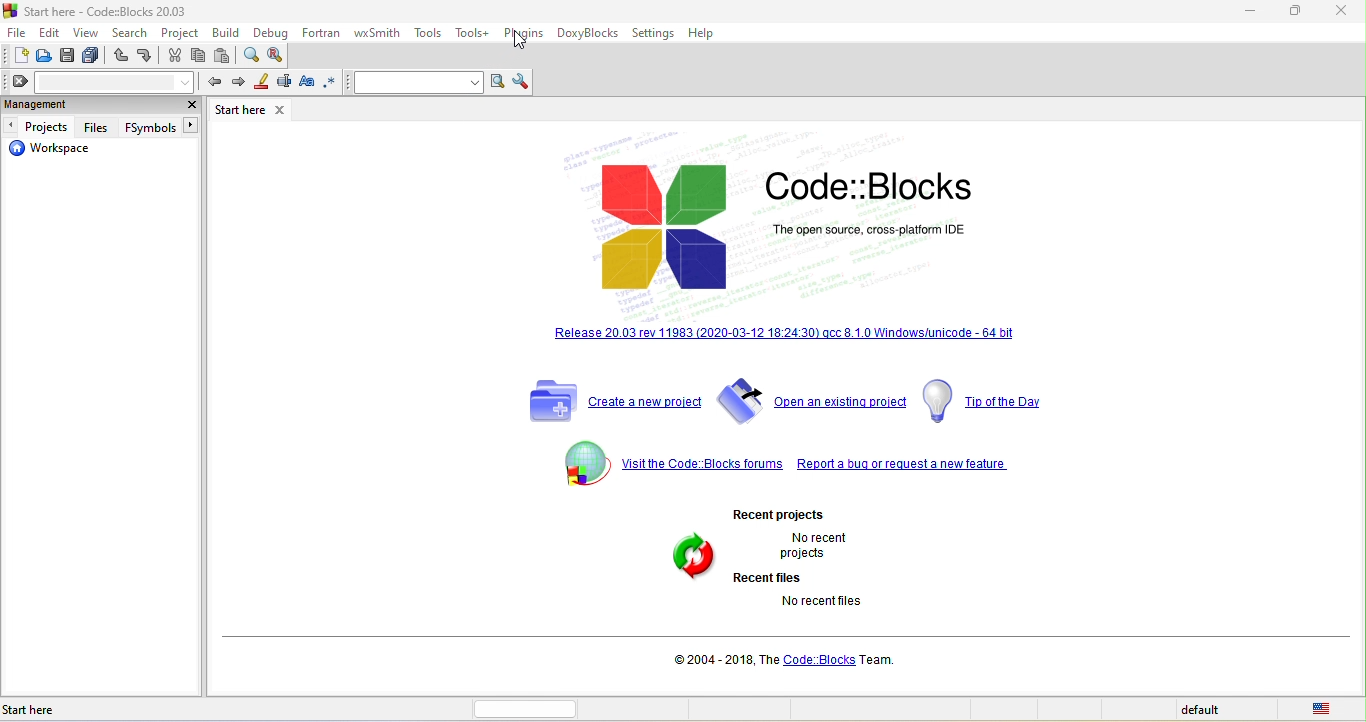 Image resolution: width=1366 pixels, height=722 pixels. I want to click on view, so click(86, 32).